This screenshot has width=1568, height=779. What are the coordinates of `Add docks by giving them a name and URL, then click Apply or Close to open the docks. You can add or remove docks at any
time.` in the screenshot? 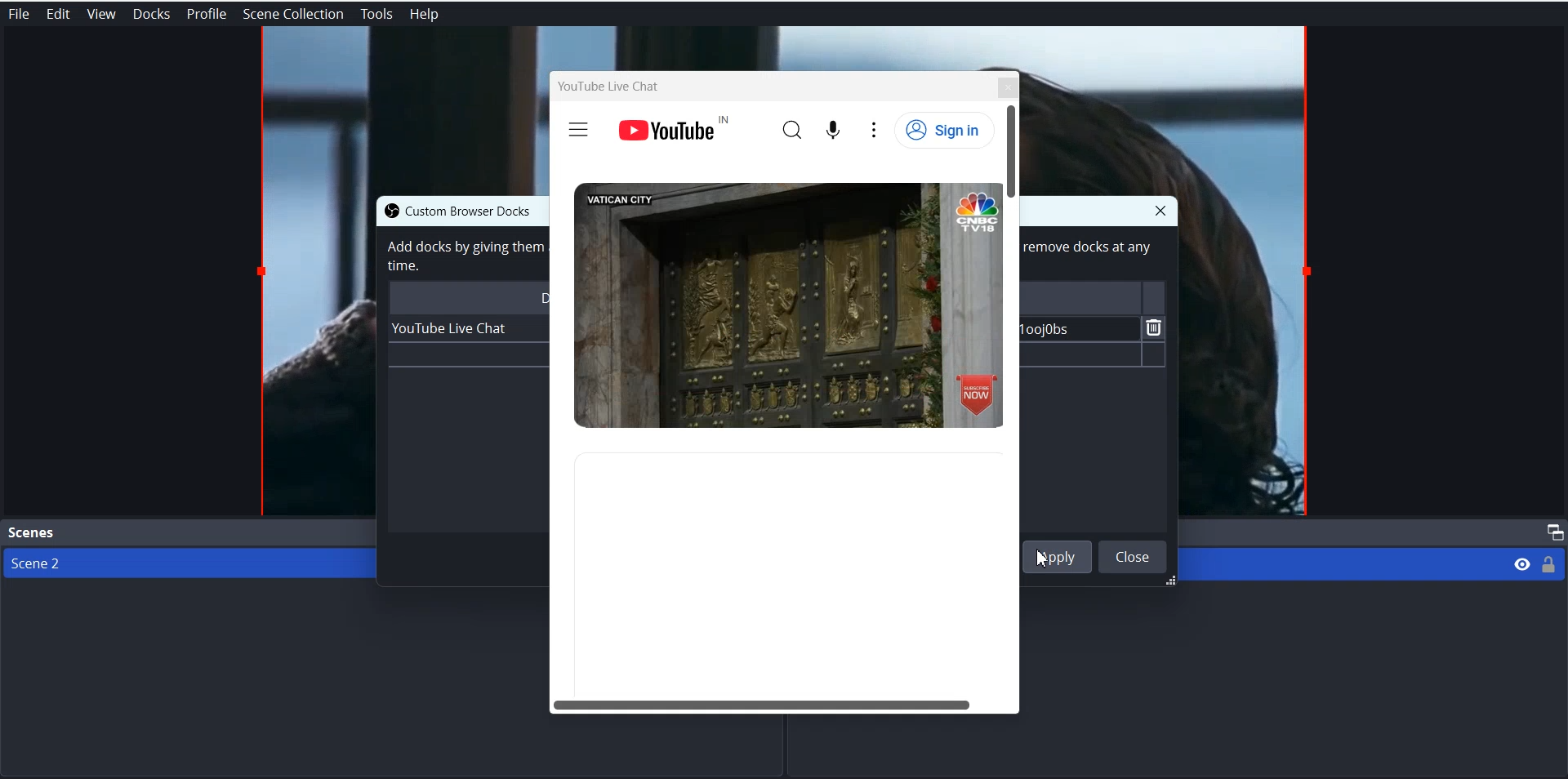 It's located at (462, 256).